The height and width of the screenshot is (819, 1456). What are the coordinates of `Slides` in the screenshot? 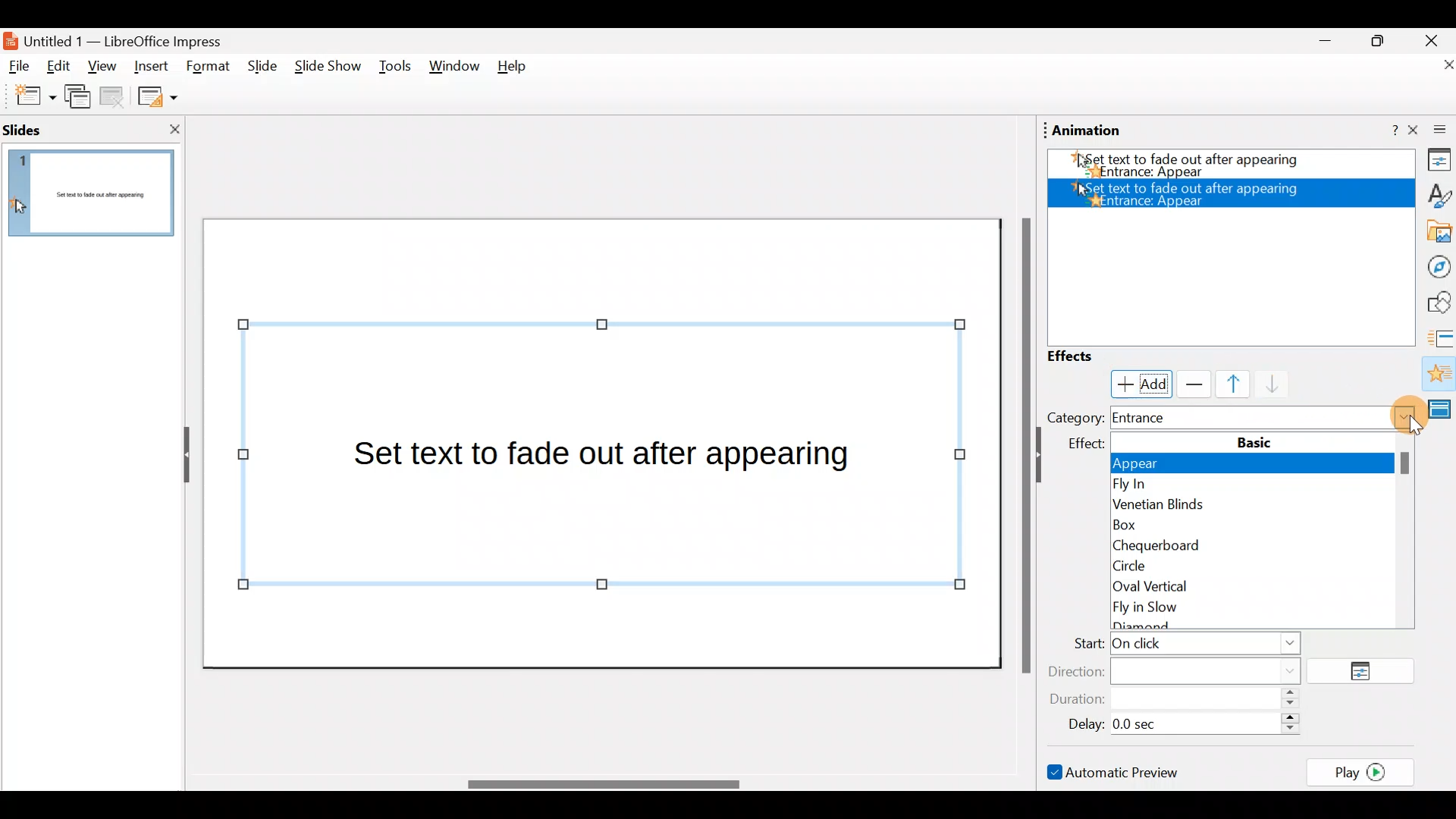 It's located at (49, 129).